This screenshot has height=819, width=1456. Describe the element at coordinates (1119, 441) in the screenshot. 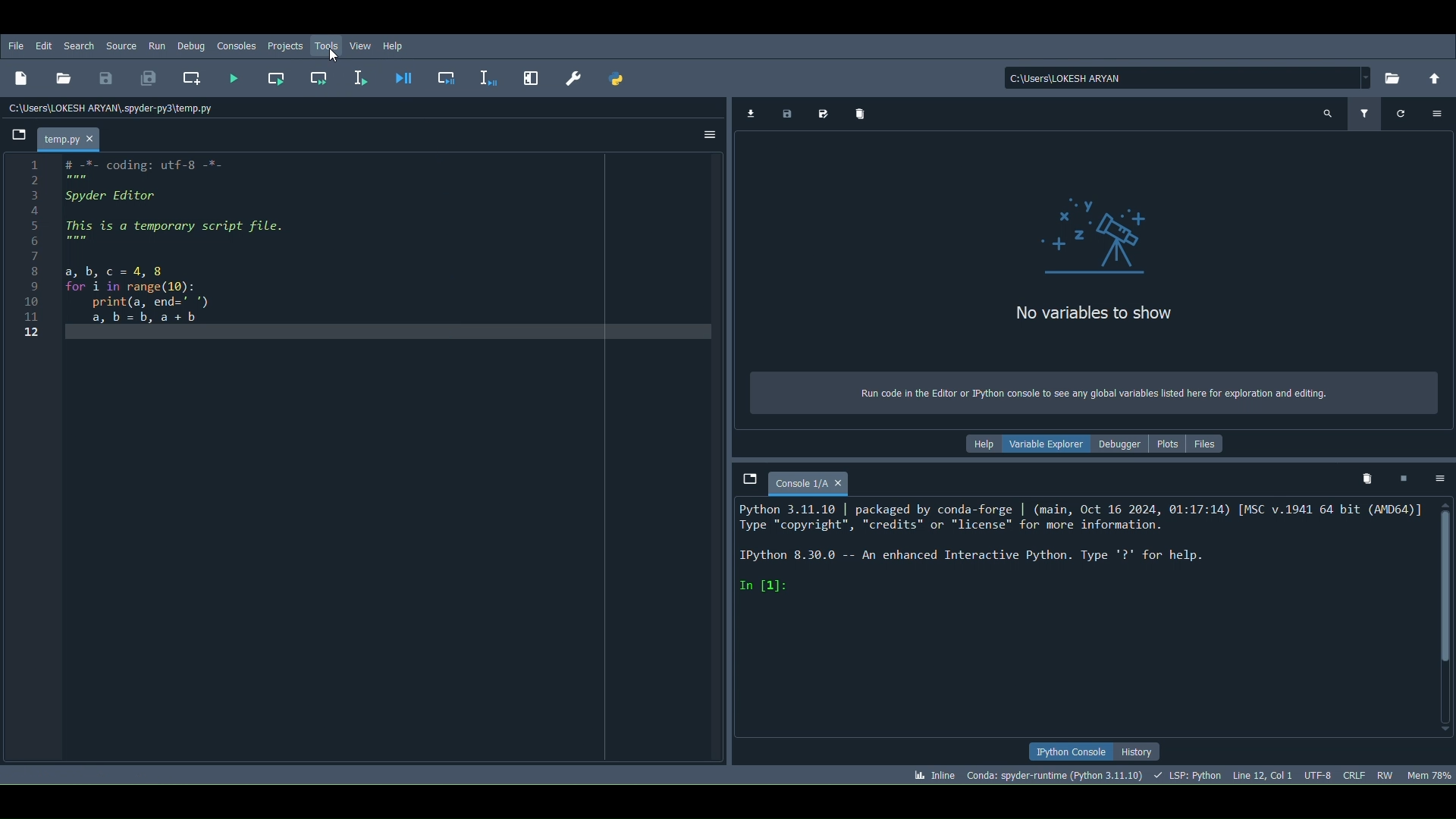

I see `Debugger` at that location.